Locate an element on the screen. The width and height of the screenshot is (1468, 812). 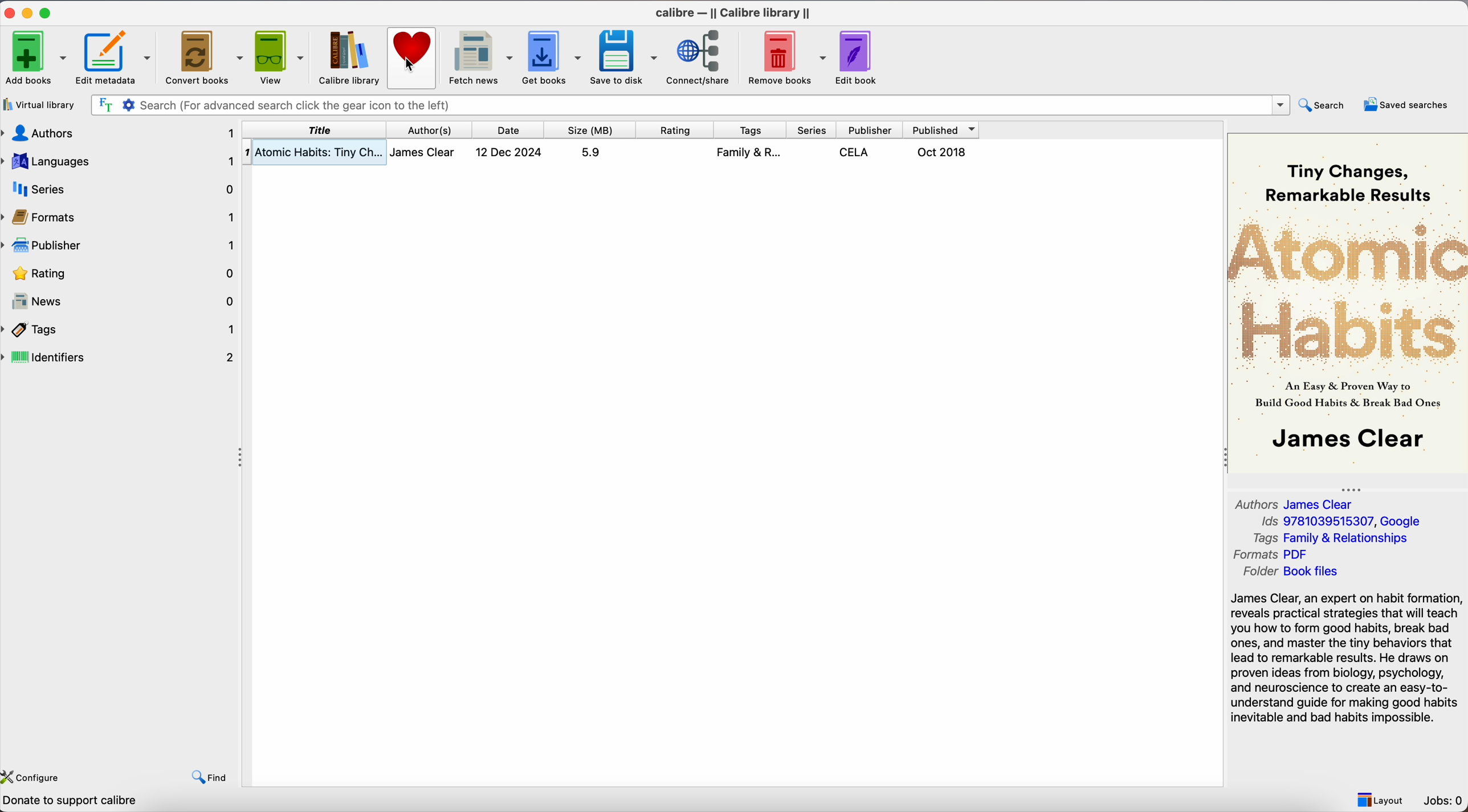
authors is located at coordinates (119, 132).